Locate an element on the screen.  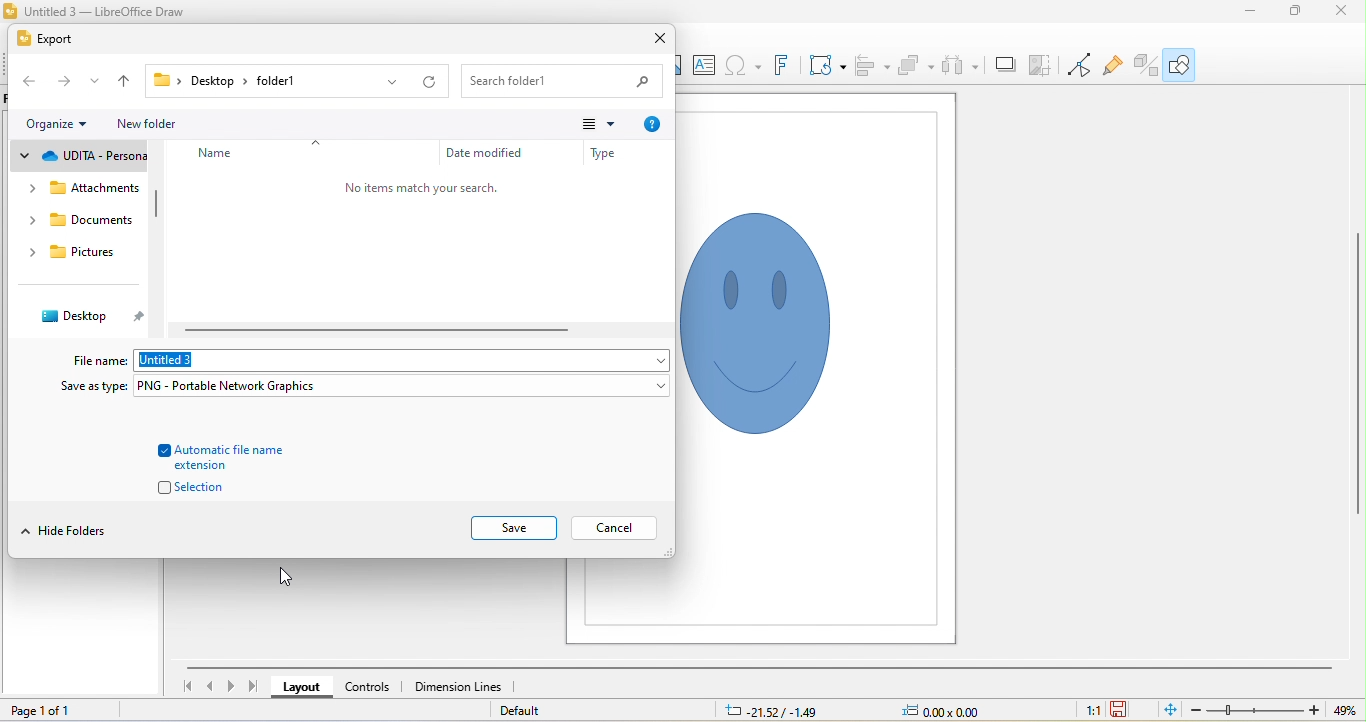
name is located at coordinates (219, 156).